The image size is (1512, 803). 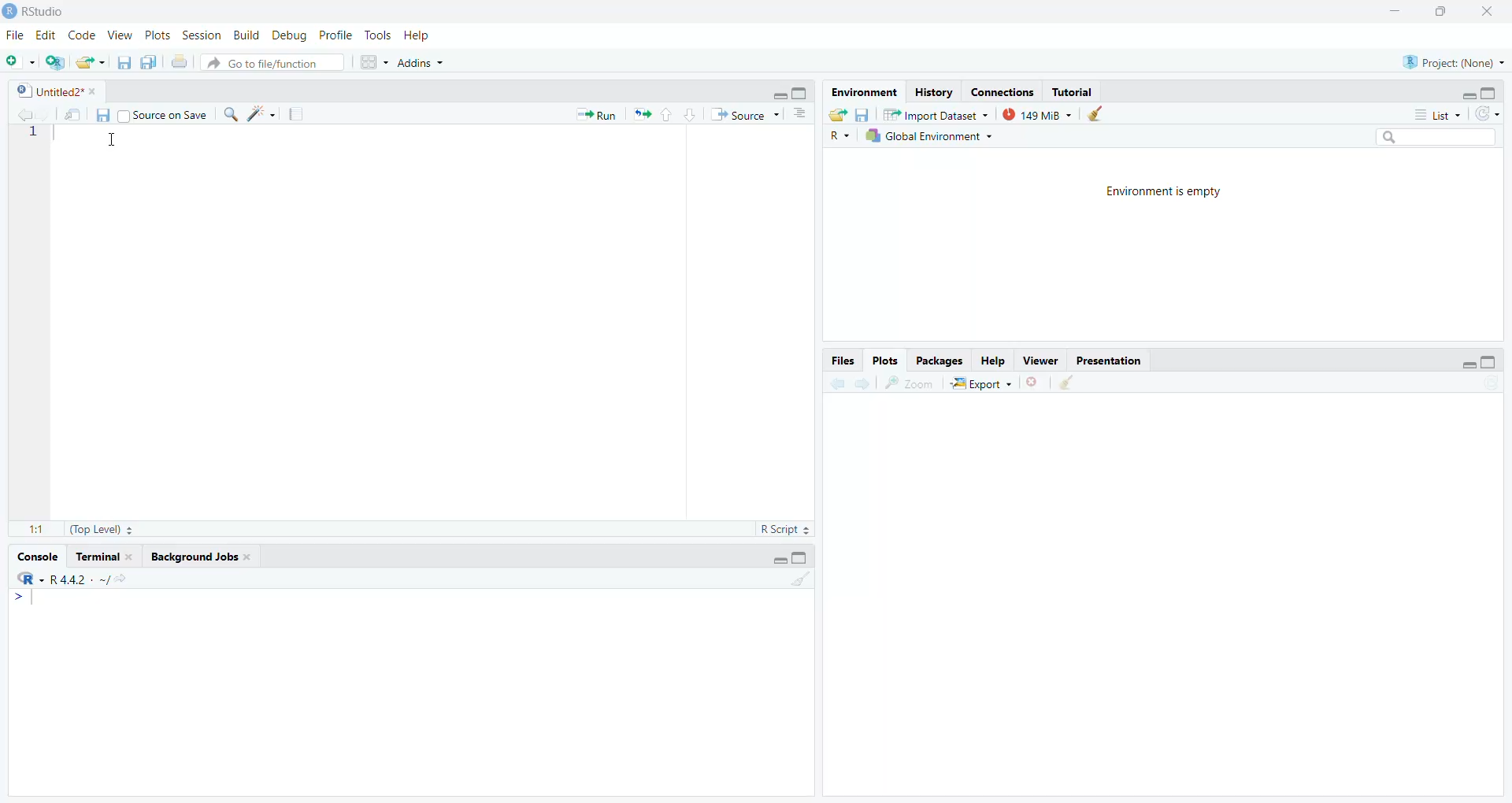 What do you see at coordinates (178, 61) in the screenshot?
I see `Print the current file` at bounding box center [178, 61].